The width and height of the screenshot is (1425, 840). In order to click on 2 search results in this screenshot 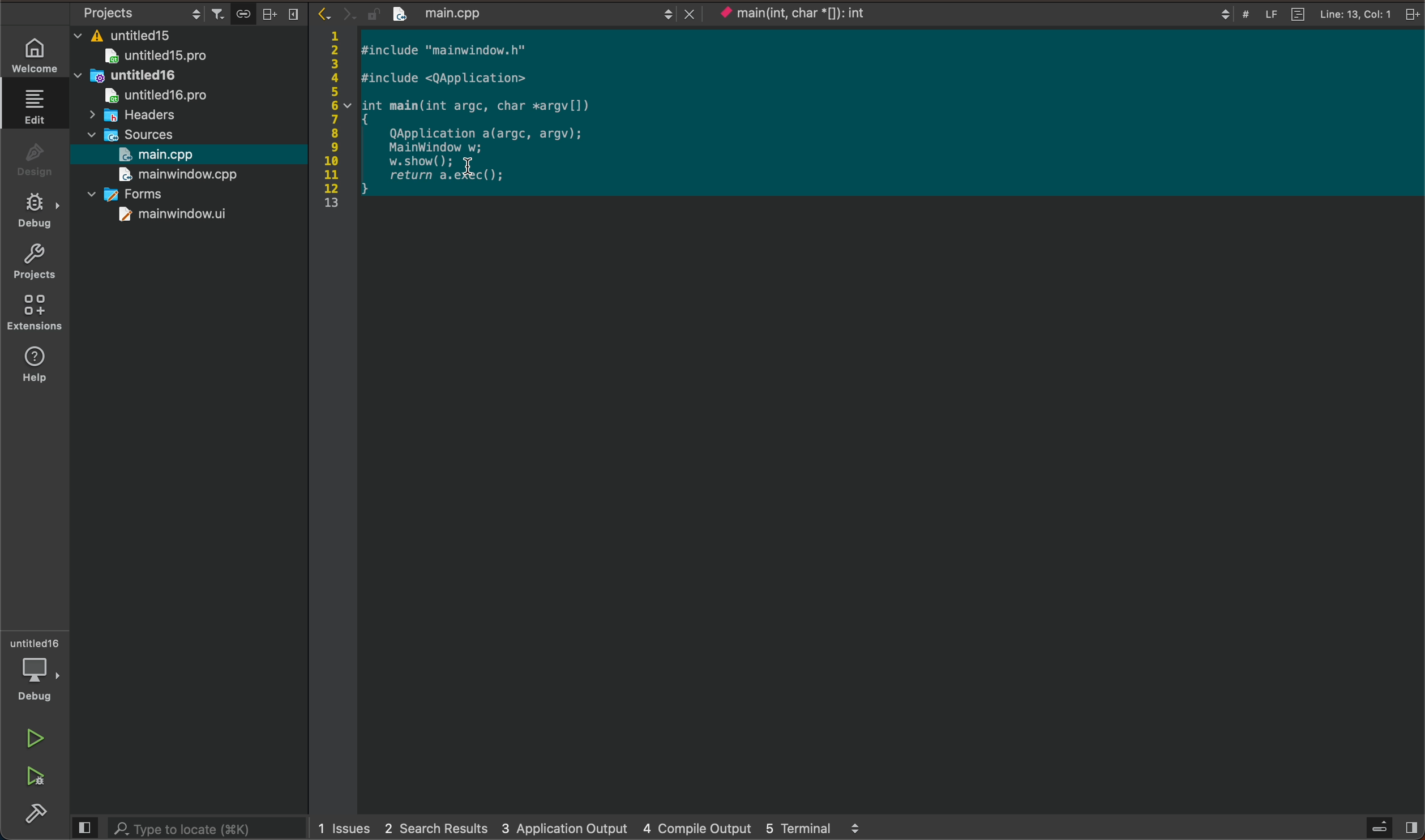, I will do `click(436, 828)`.